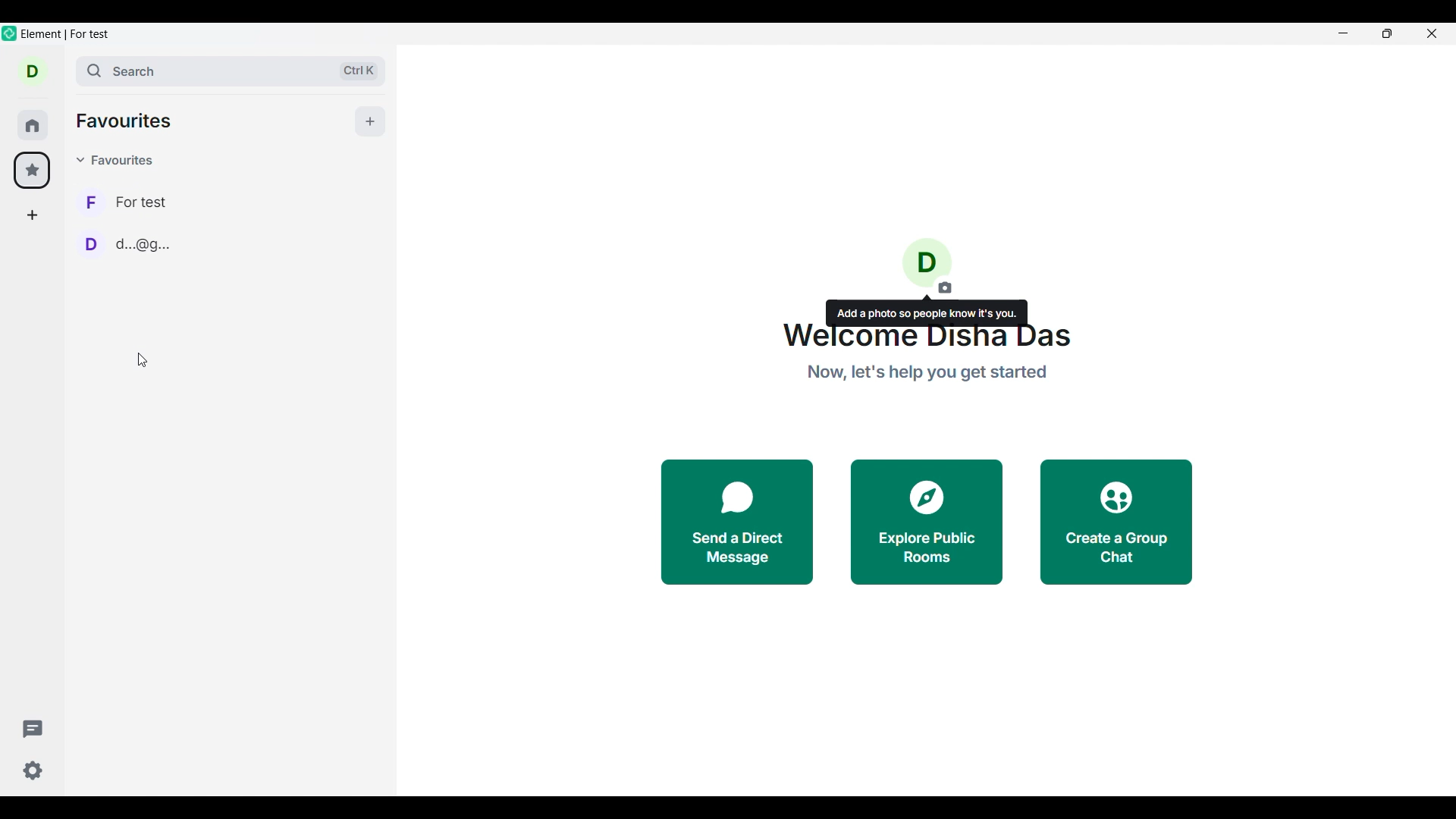  I want to click on element logo, so click(10, 33).